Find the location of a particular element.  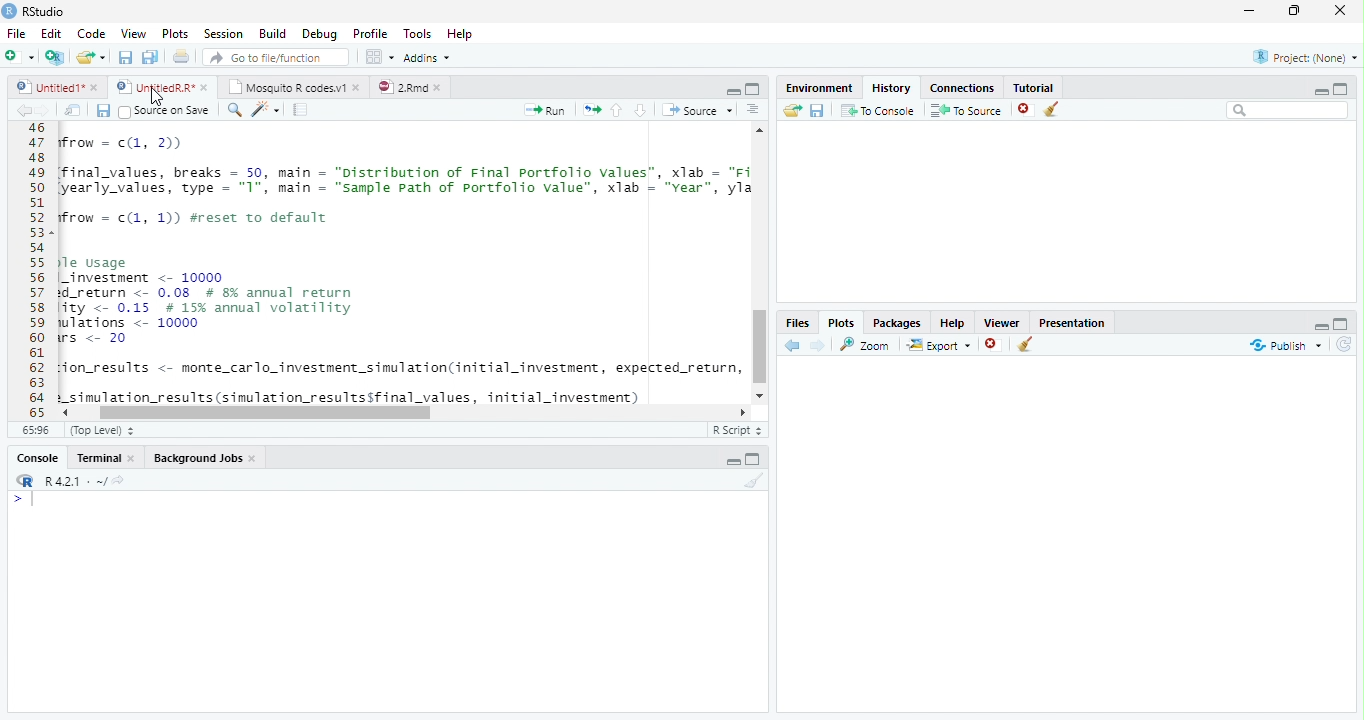

File is located at coordinates (15, 33).